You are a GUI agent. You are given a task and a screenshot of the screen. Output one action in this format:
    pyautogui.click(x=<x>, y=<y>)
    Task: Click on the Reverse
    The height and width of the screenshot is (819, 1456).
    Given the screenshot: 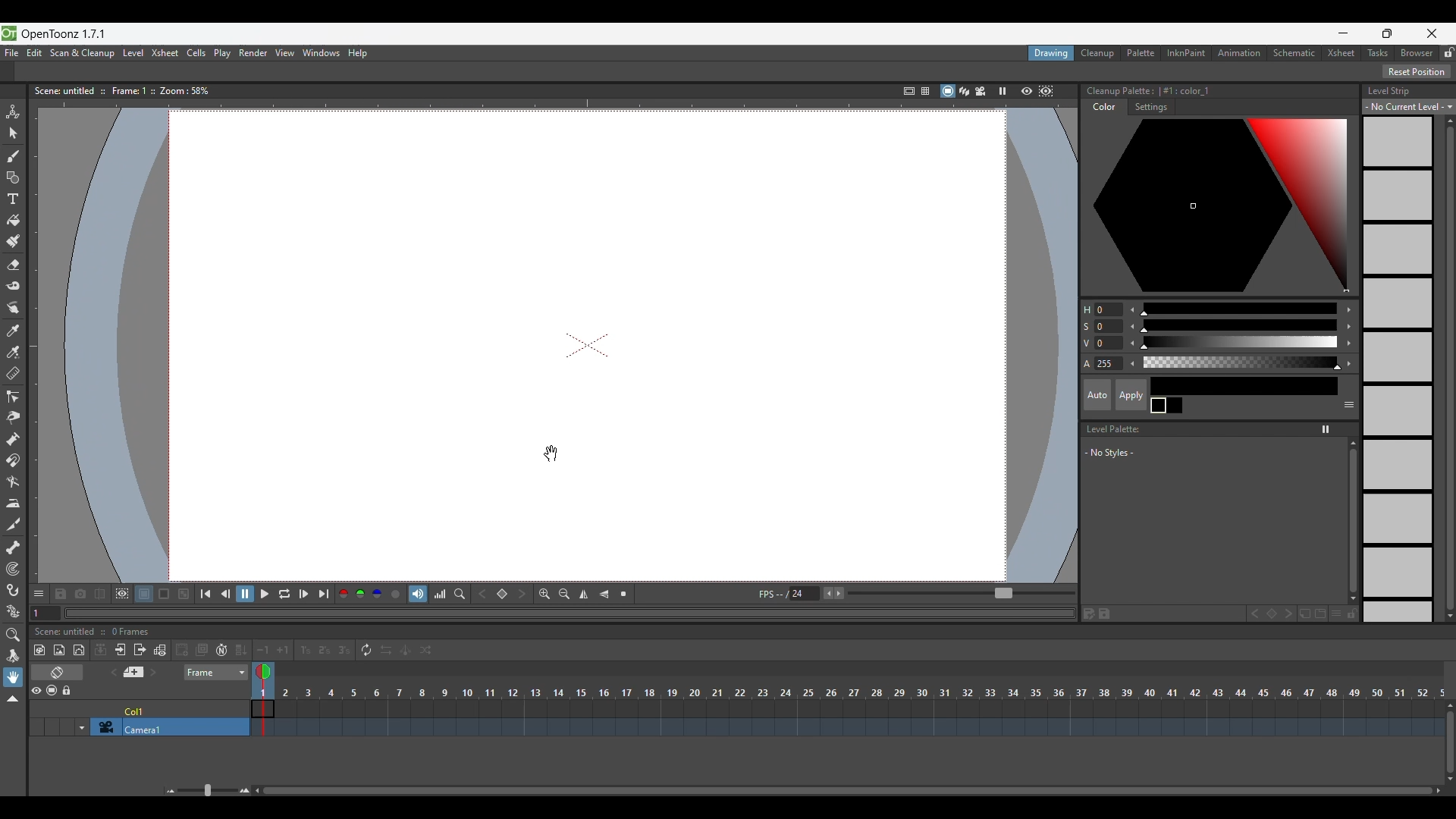 What is the action you would take?
    pyautogui.click(x=386, y=650)
    